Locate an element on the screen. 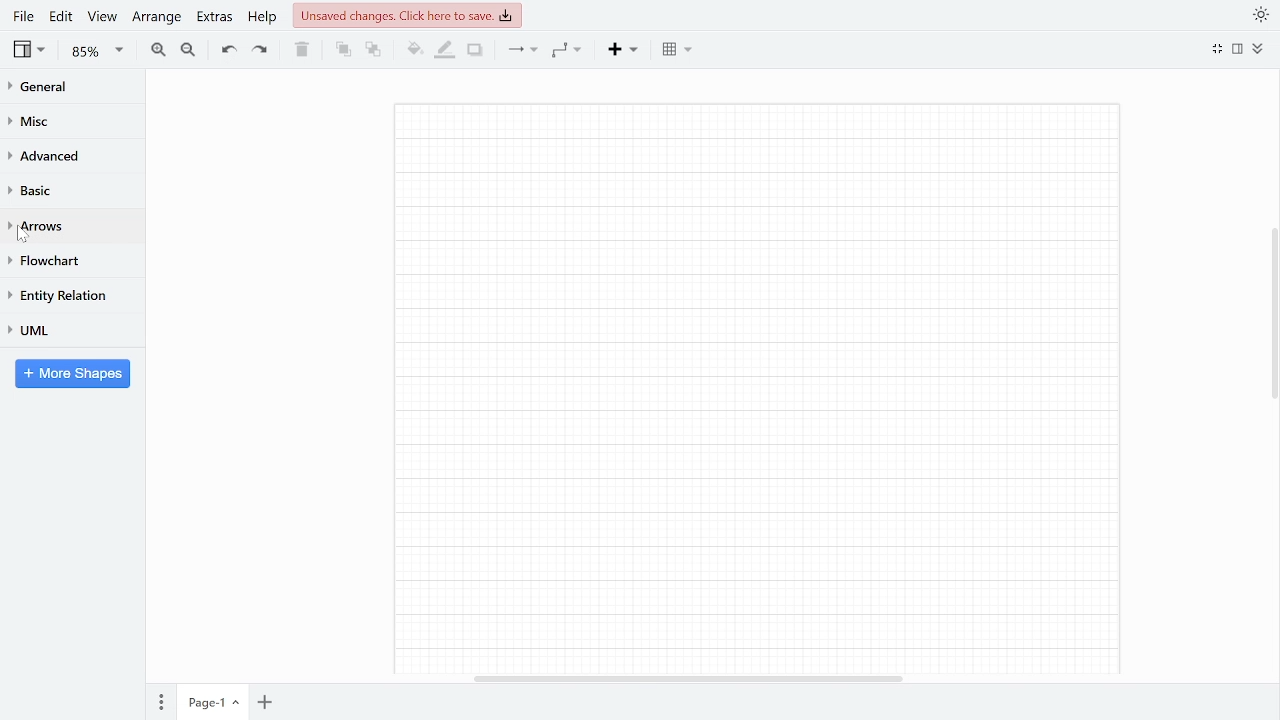 The height and width of the screenshot is (720, 1280). Shadow is located at coordinates (475, 50).